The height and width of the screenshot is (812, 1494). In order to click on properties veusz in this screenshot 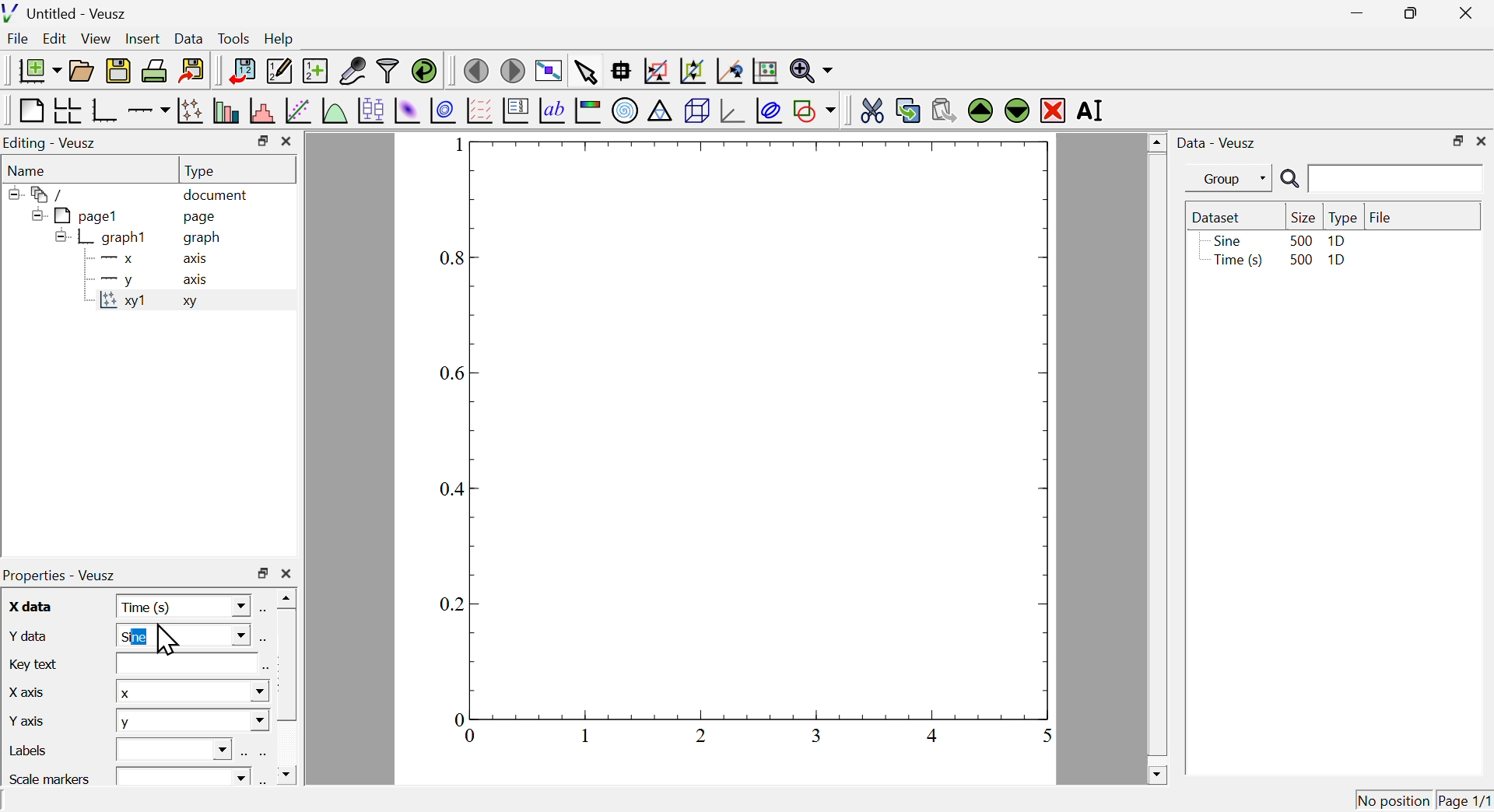, I will do `click(65, 575)`.